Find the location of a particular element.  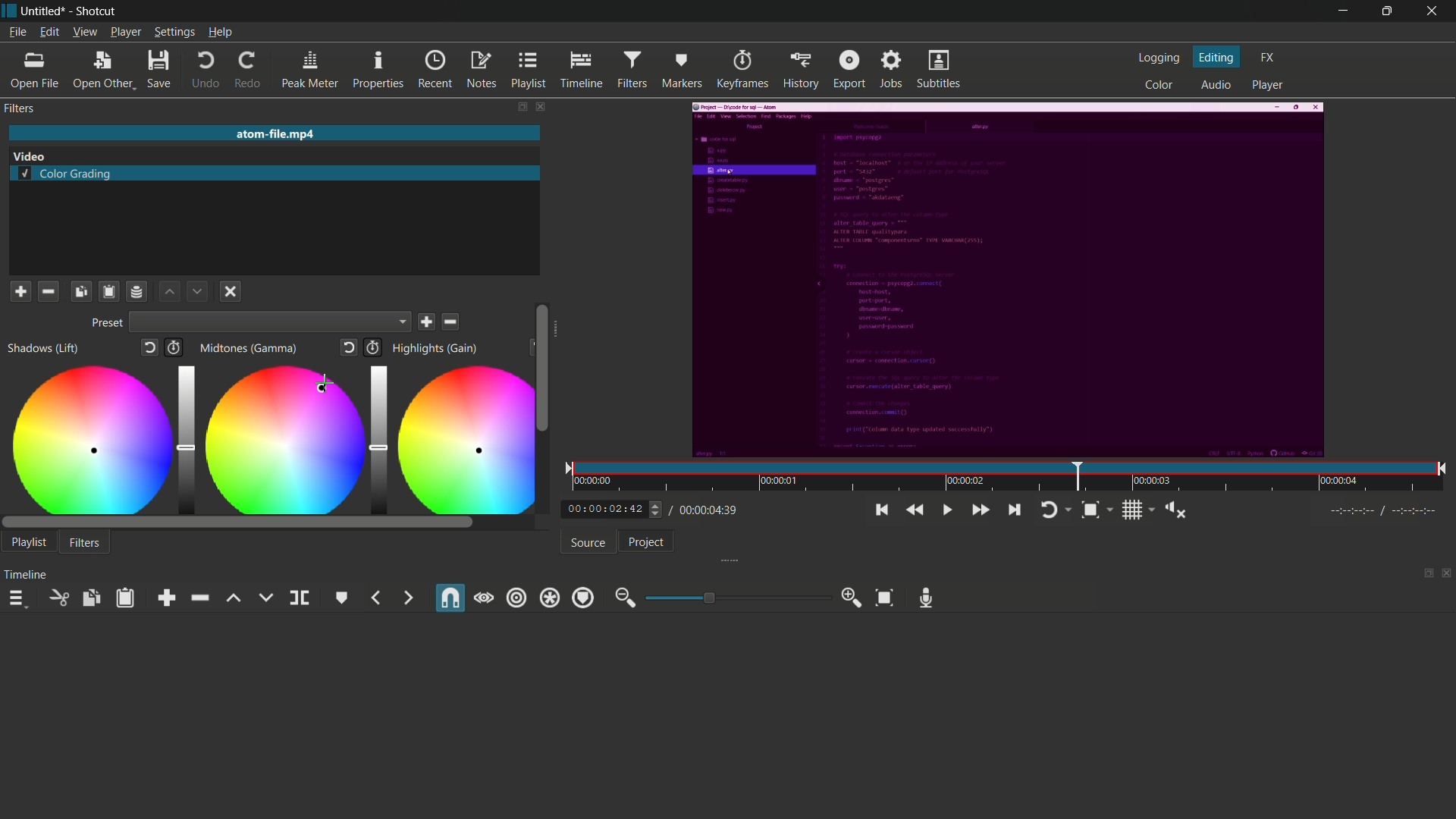

use keyframe for this parameter is located at coordinates (178, 349).